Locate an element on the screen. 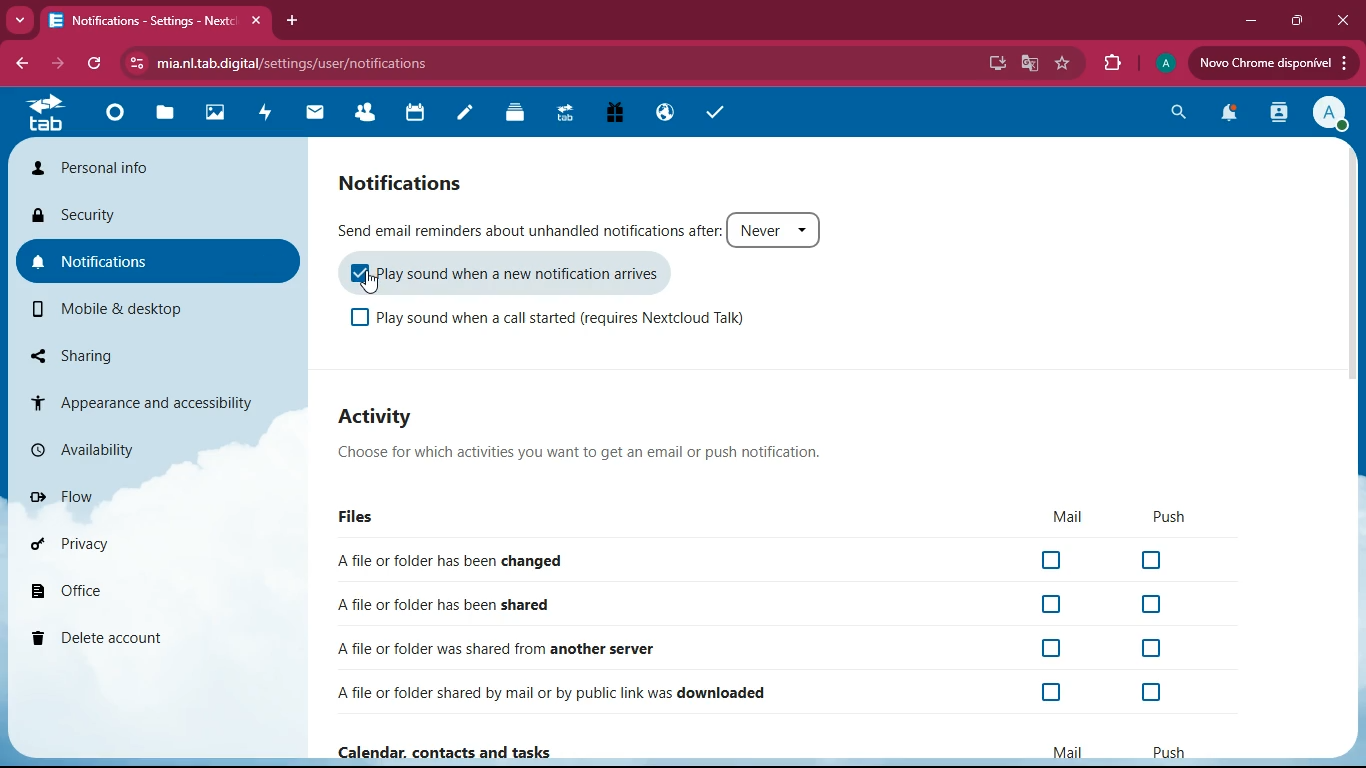 This screenshot has height=768, width=1366. search is located at coordinates (1172, 114).